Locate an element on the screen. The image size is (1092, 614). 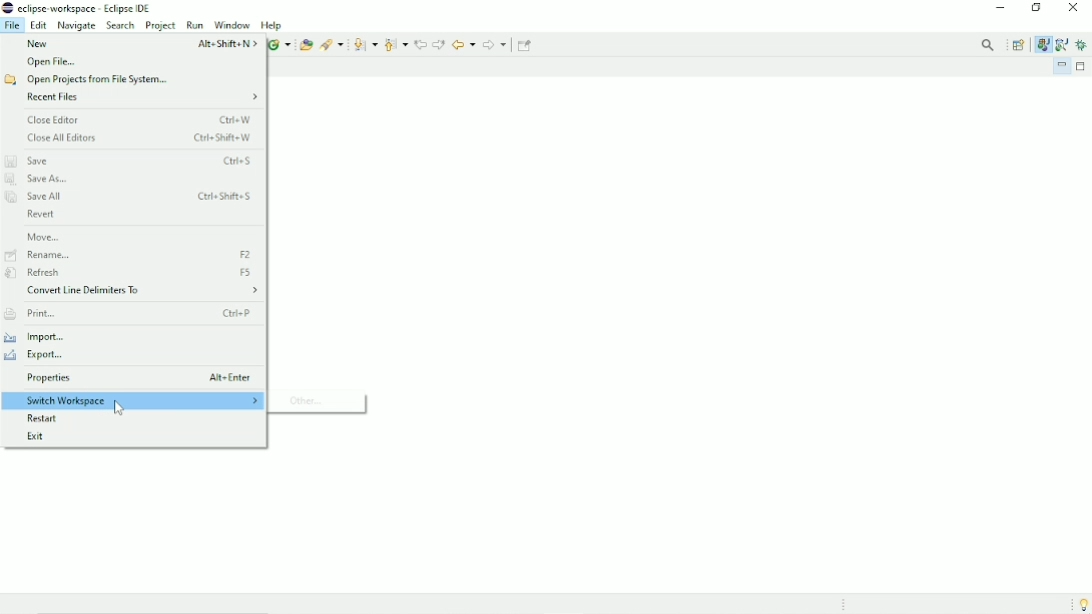
Open perspective is located at coordinates (1020, 44).